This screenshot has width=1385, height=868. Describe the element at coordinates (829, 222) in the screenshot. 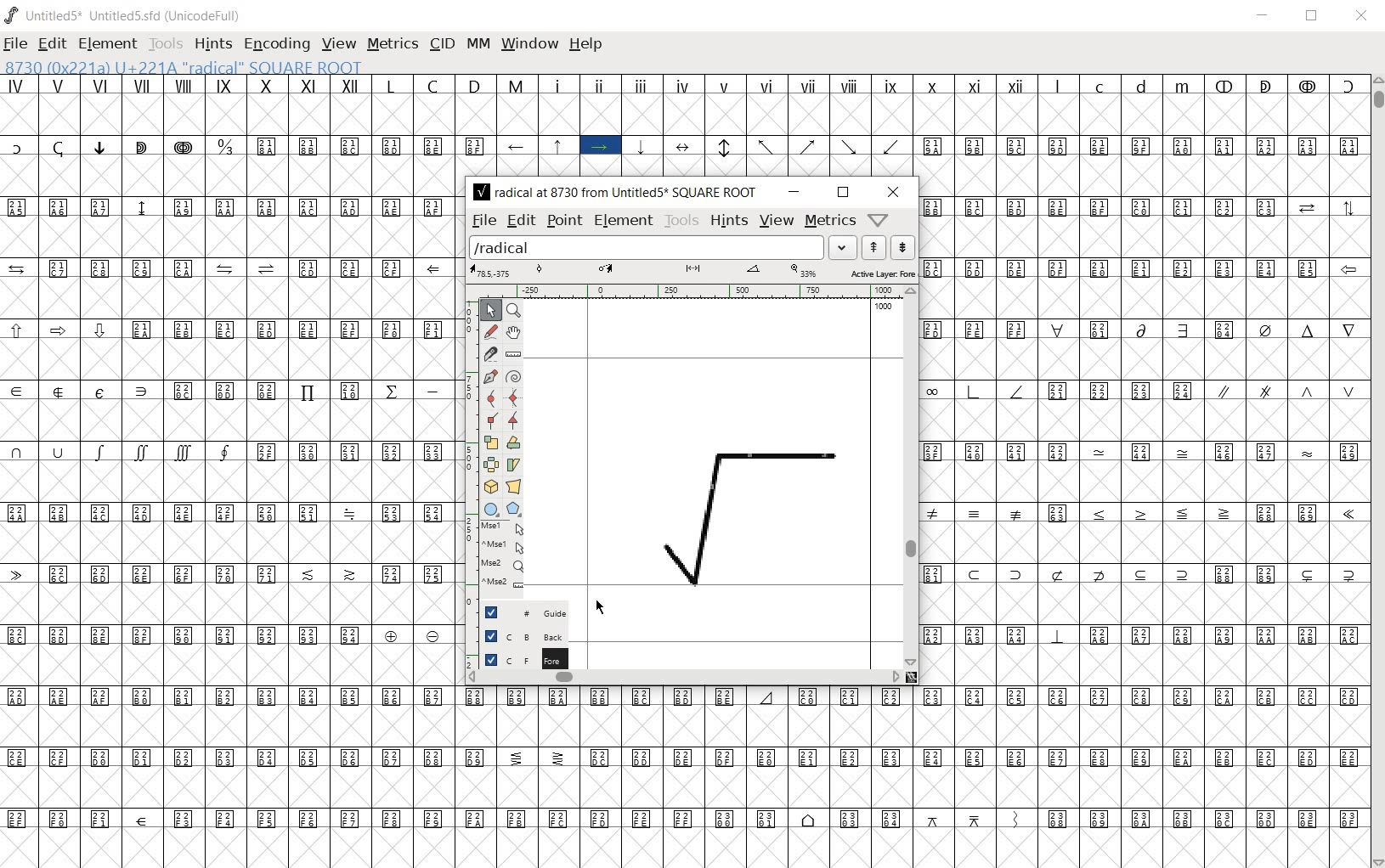

I see `metrics` at that location.